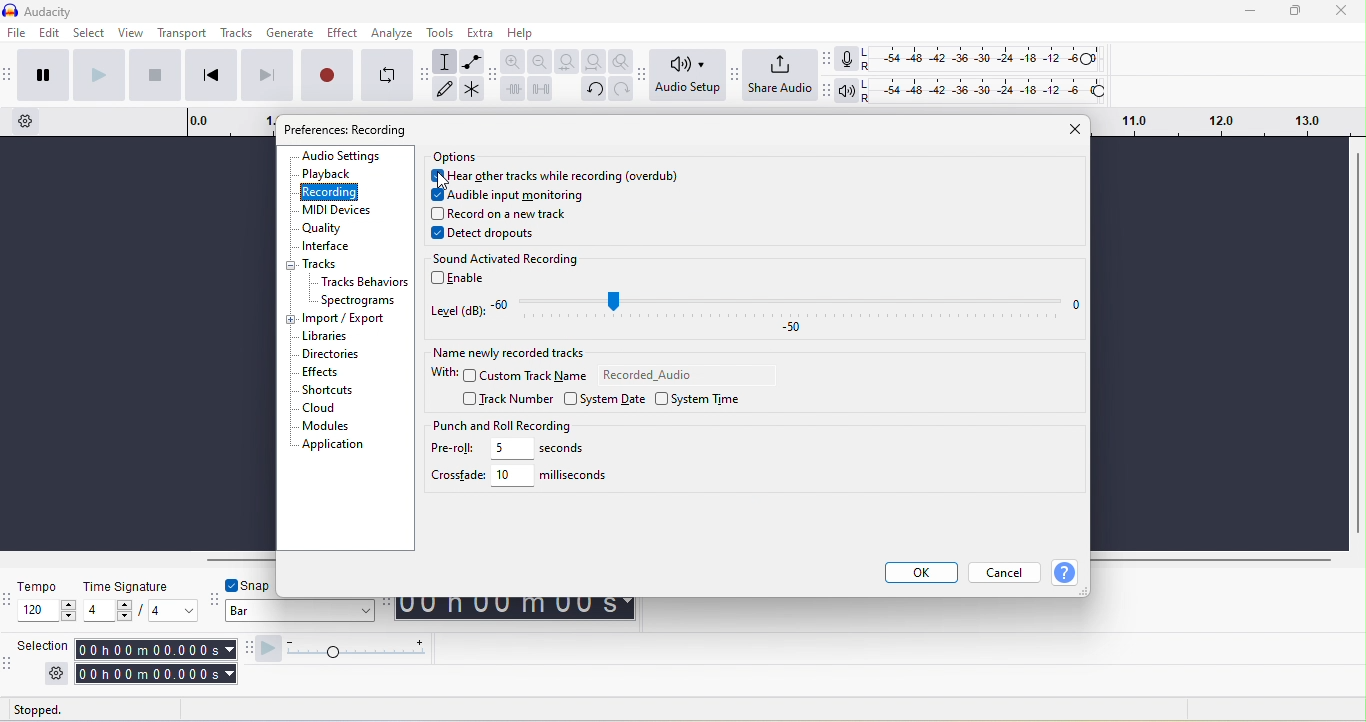 The image size is (1366, 722). What do you see at coordinates (757, 311) in the screenshot?
I see `level` at bounding box center [757, 311].